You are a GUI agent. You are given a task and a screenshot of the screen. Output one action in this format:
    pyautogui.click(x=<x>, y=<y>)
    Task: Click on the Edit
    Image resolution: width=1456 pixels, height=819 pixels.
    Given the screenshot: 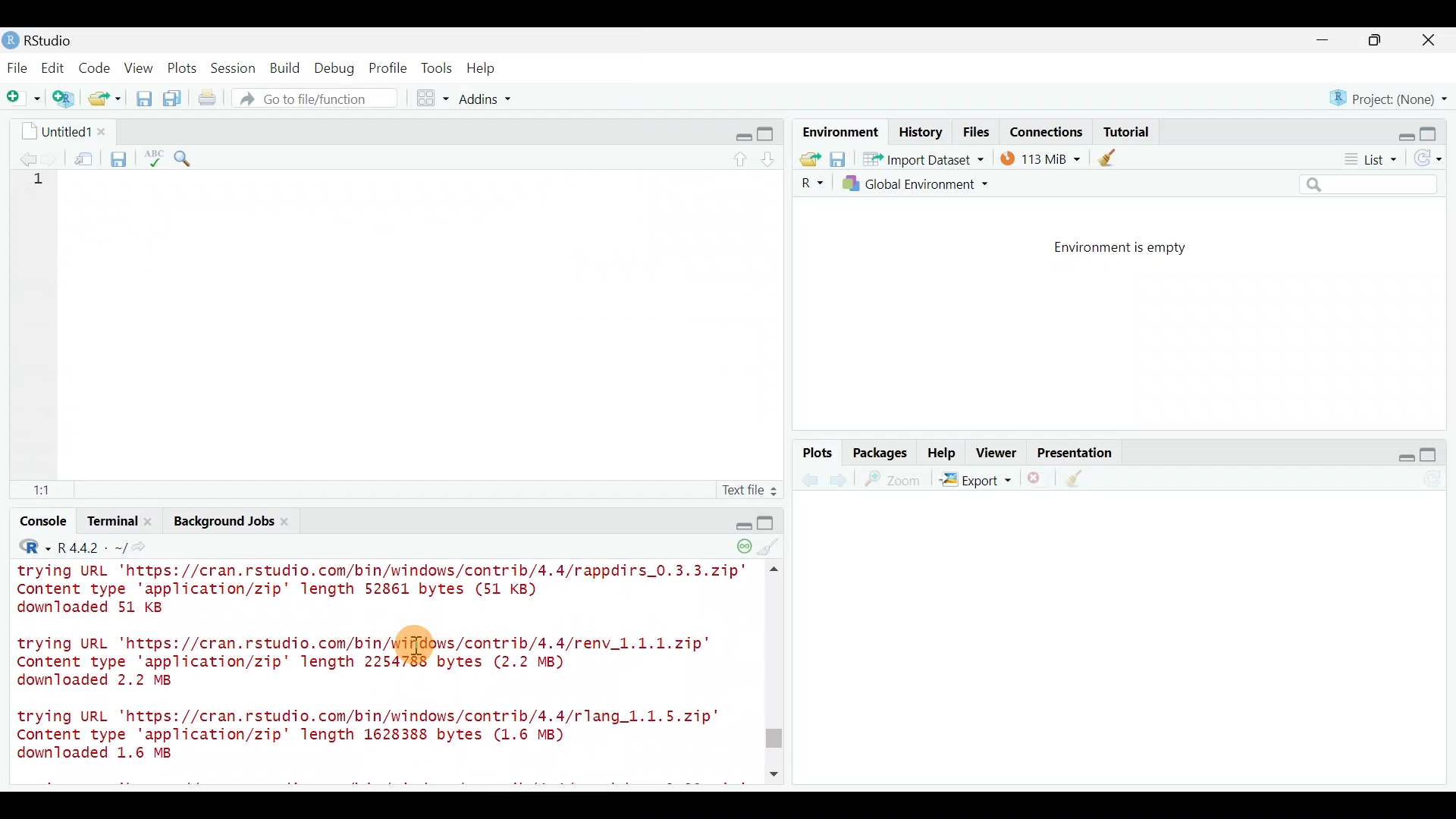 What is the action you would take?
    pyautogui.click(x=55, y=69)
    